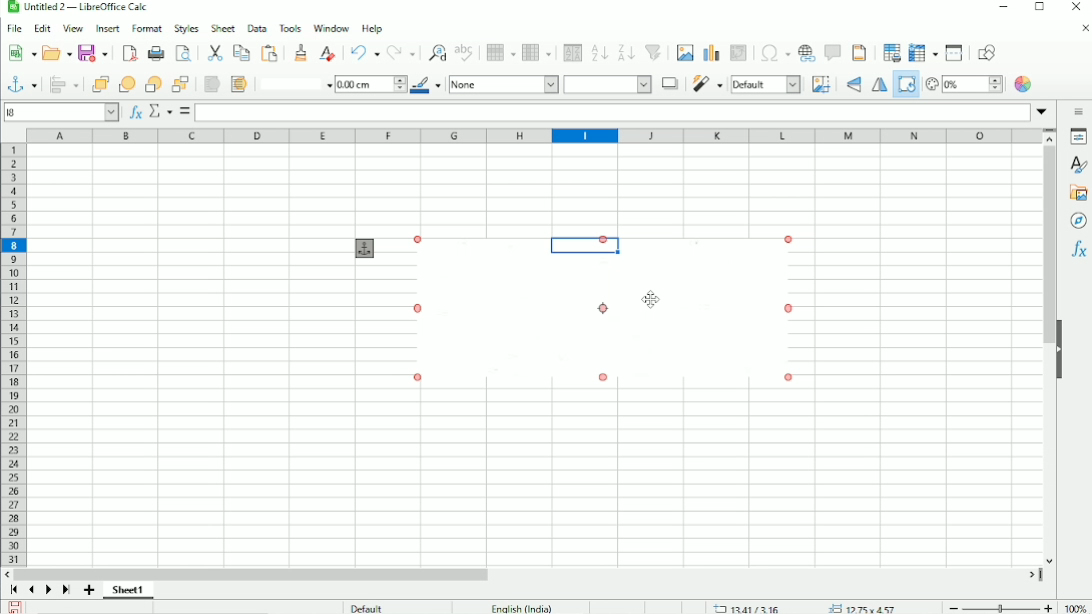 The height and width of the screenshot is (614, 1092). I want to click on Column, so click(536, 52).